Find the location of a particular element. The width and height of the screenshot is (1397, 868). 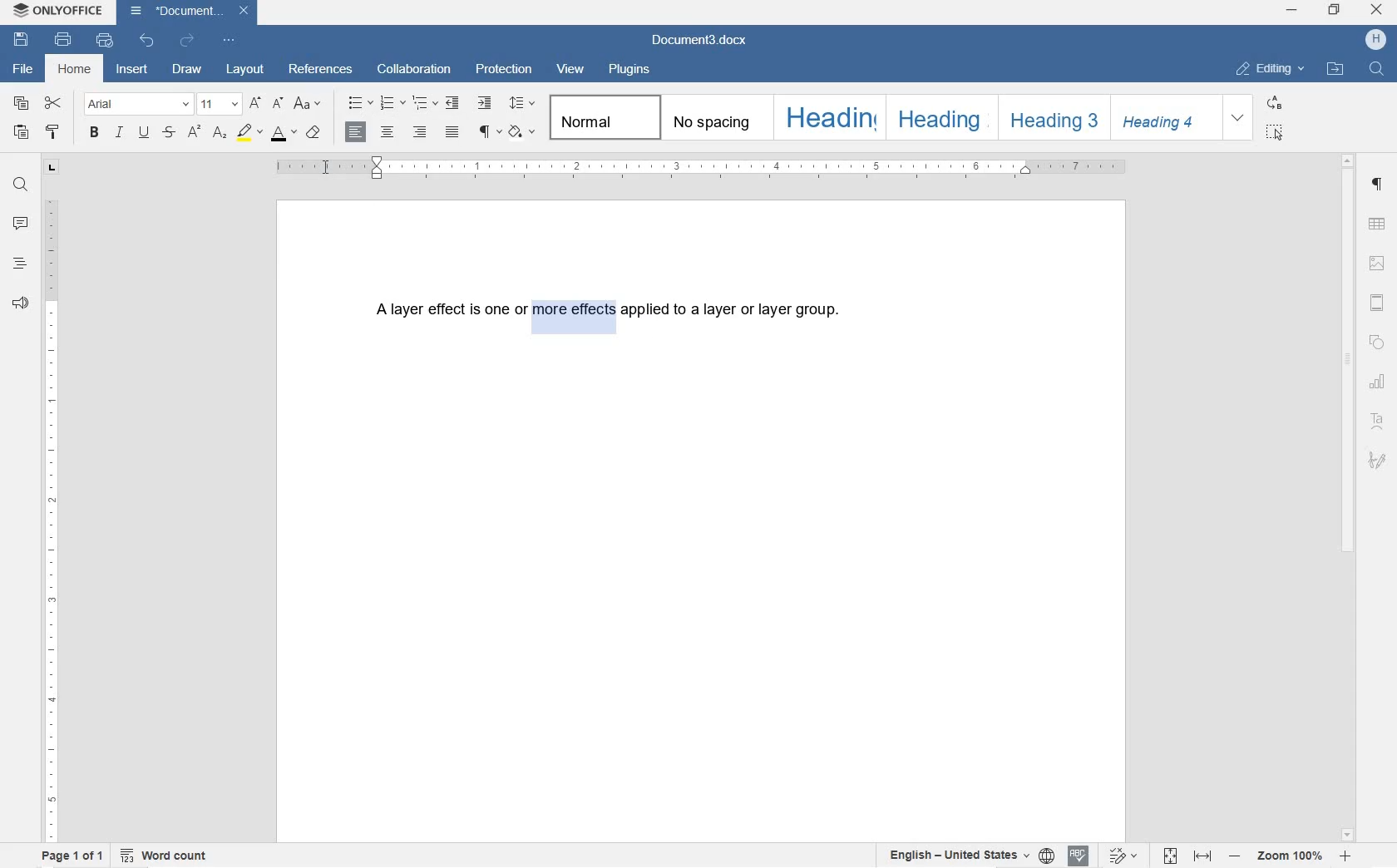

FEEDBACK & SUPPORT is located at coordinates (19, 304).